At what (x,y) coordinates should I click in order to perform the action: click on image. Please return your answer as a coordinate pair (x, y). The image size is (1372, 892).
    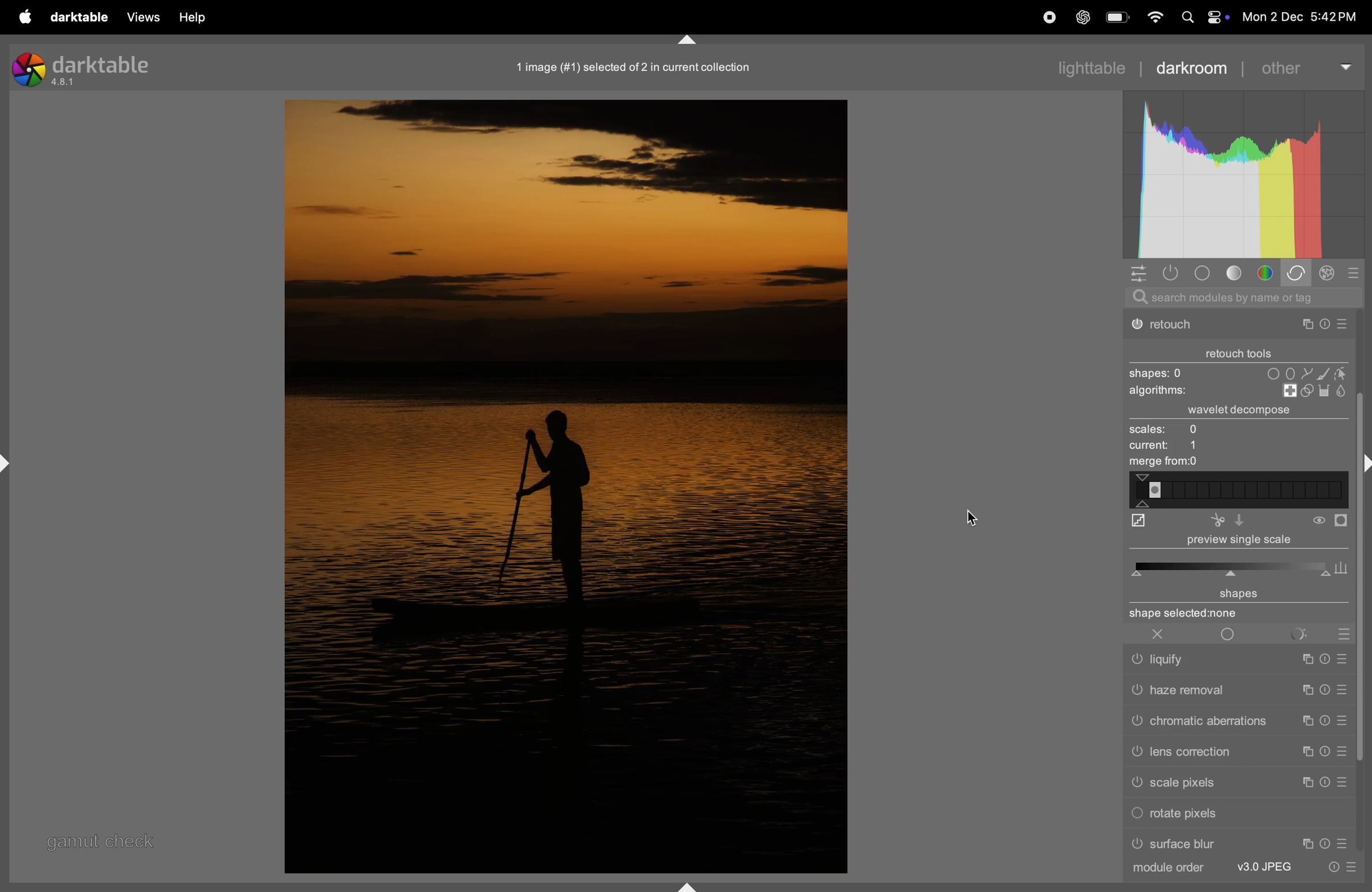
    Looking at the image, I should click on (564, 486).